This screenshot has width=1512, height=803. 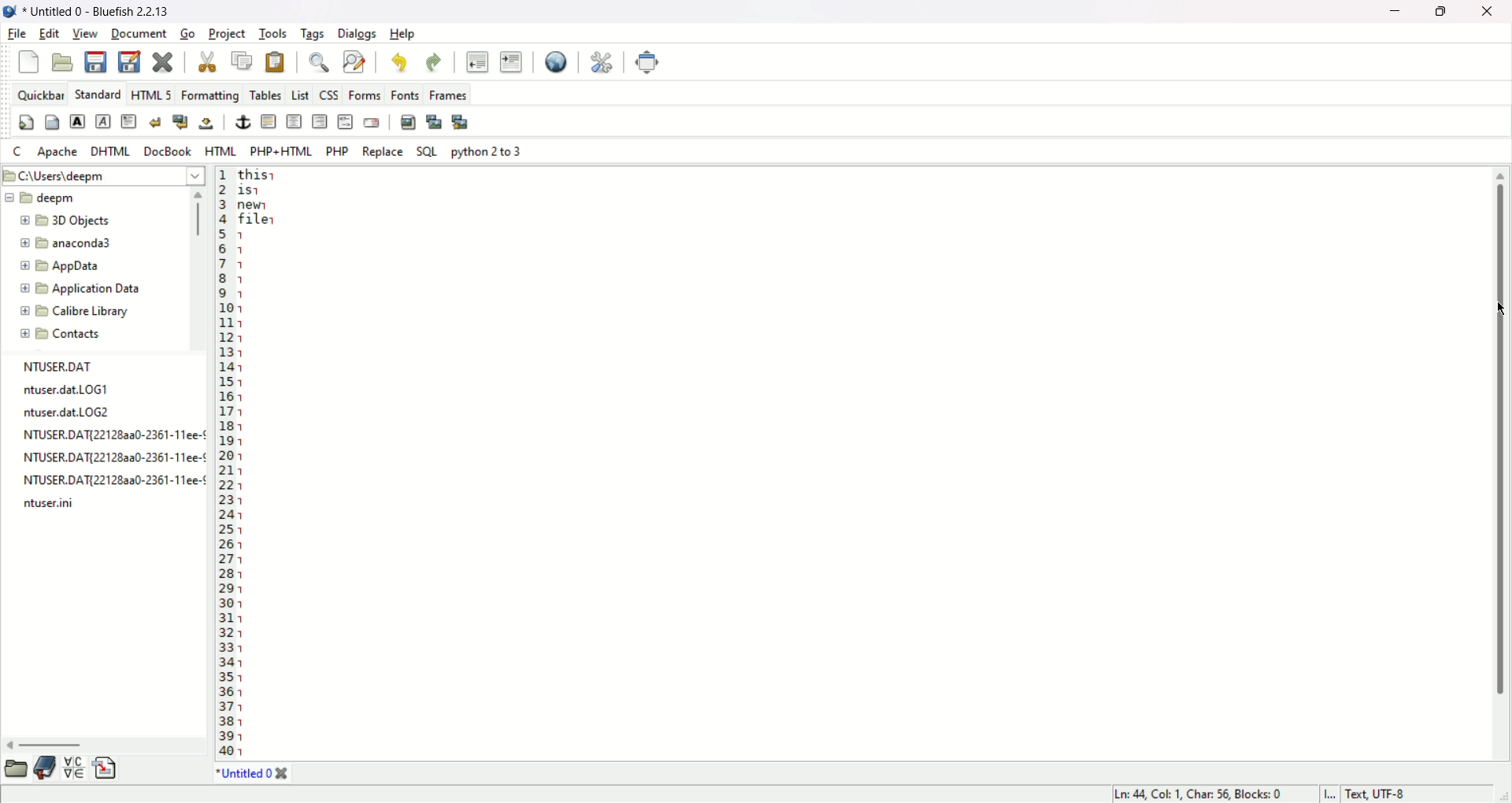 What do you see at coordinates (220, 152) in the screenshot?
I see `HTML` at bounding box center [220, 152].